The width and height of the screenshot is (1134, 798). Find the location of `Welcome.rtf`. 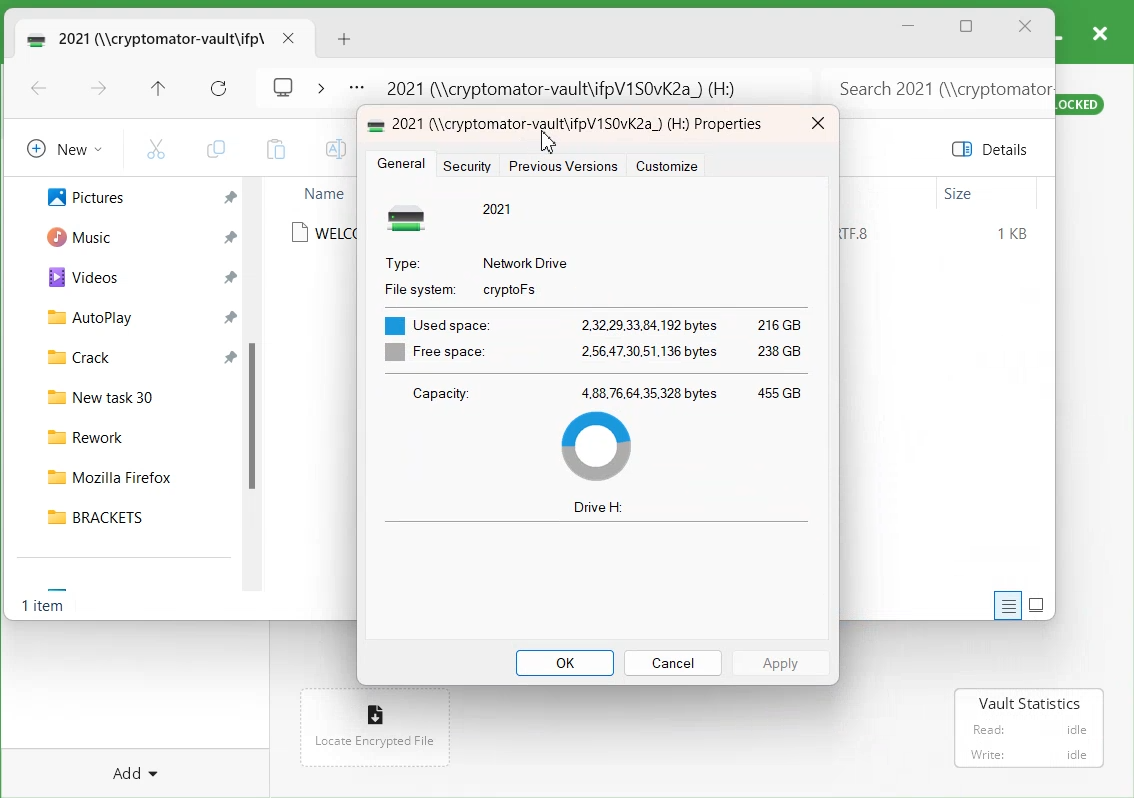

Welcome.rtf is located at coordinates (323, 233).